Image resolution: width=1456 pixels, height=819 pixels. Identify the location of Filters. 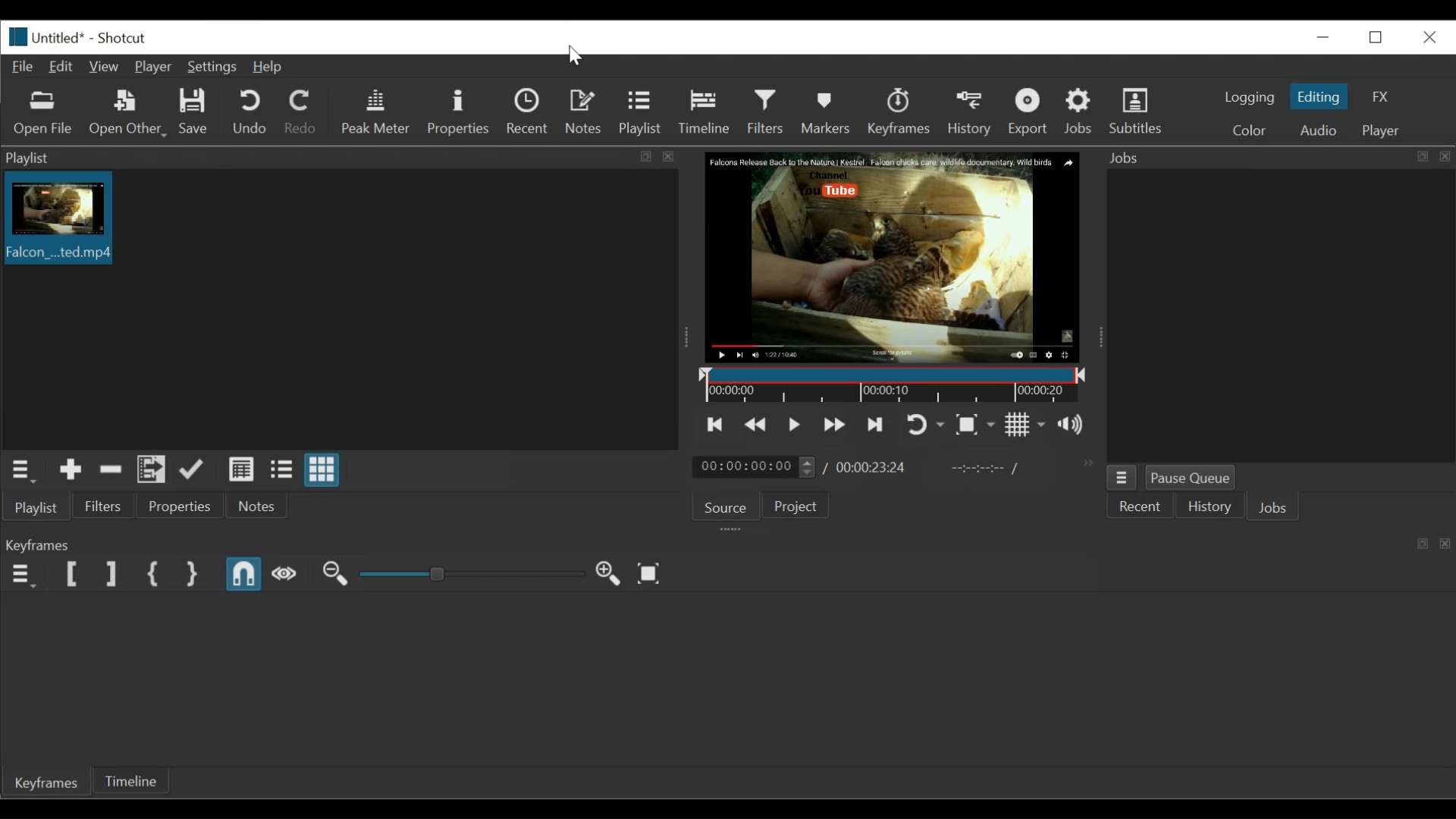
(766, 111).